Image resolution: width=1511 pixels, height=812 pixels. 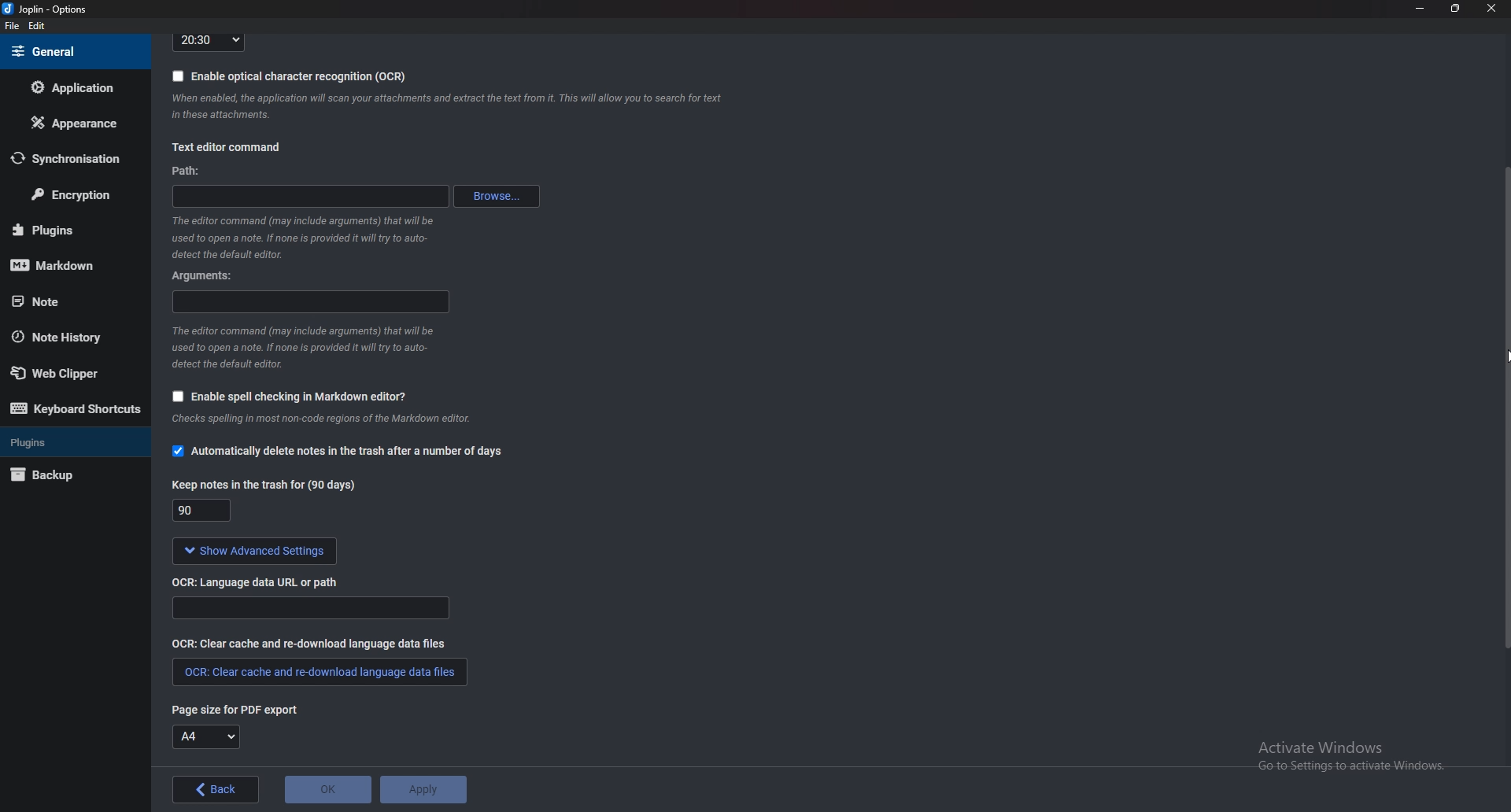 What do you see at coordinates (313, 302) in the screenshot?
I see `arguments` at bounding box center [313, 302].